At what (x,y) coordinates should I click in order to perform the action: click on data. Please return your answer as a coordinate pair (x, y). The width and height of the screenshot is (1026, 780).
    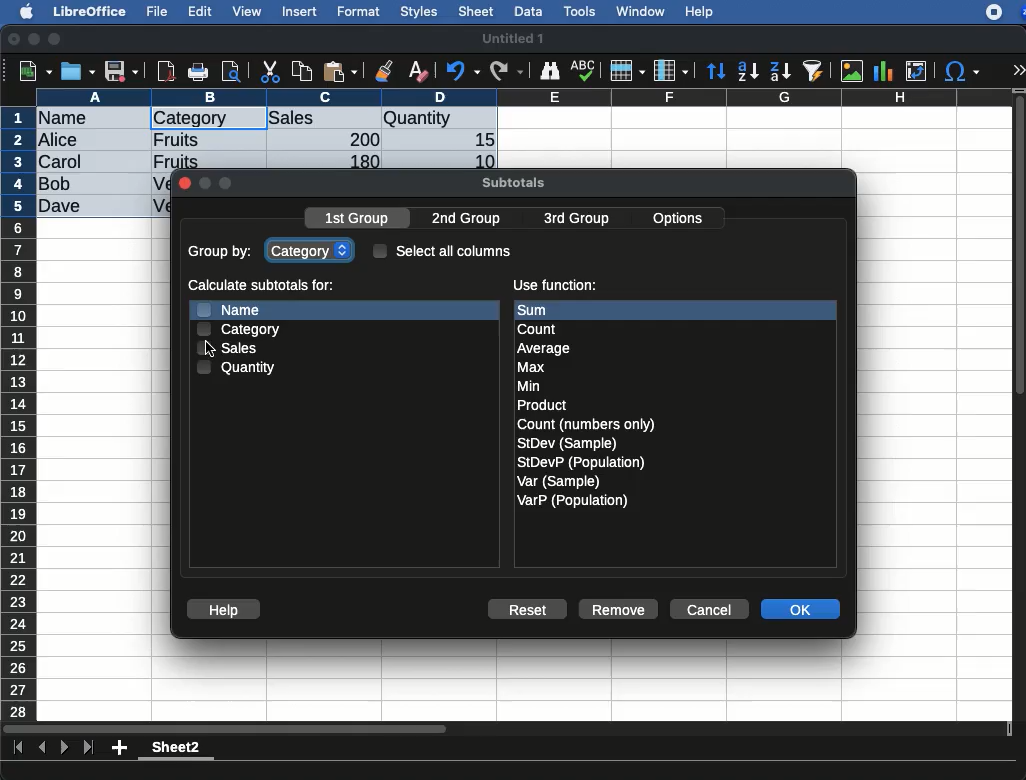
    Looking at the image, I should click on (528, 9).